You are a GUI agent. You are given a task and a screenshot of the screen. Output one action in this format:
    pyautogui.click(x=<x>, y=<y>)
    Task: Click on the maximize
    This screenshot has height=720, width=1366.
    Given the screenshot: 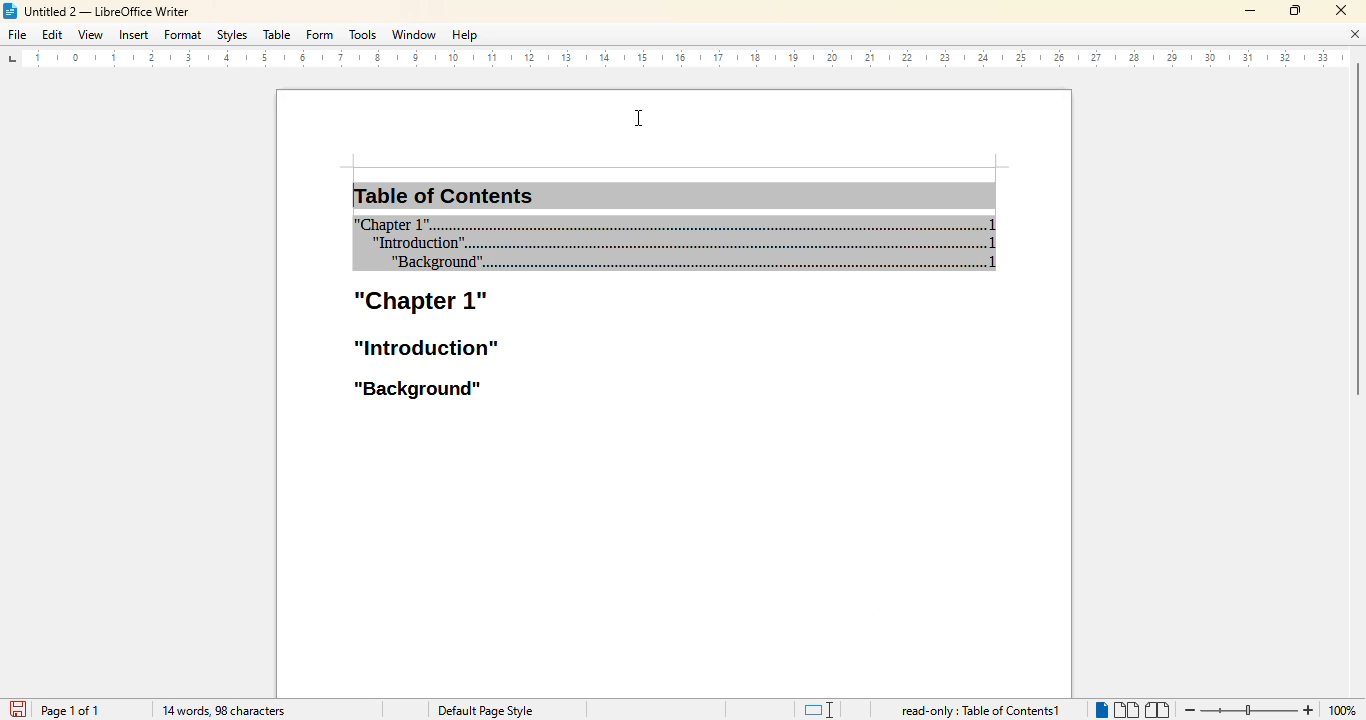 What is the action you would take?
    pyautogui.click(x=1294, y=10)
    